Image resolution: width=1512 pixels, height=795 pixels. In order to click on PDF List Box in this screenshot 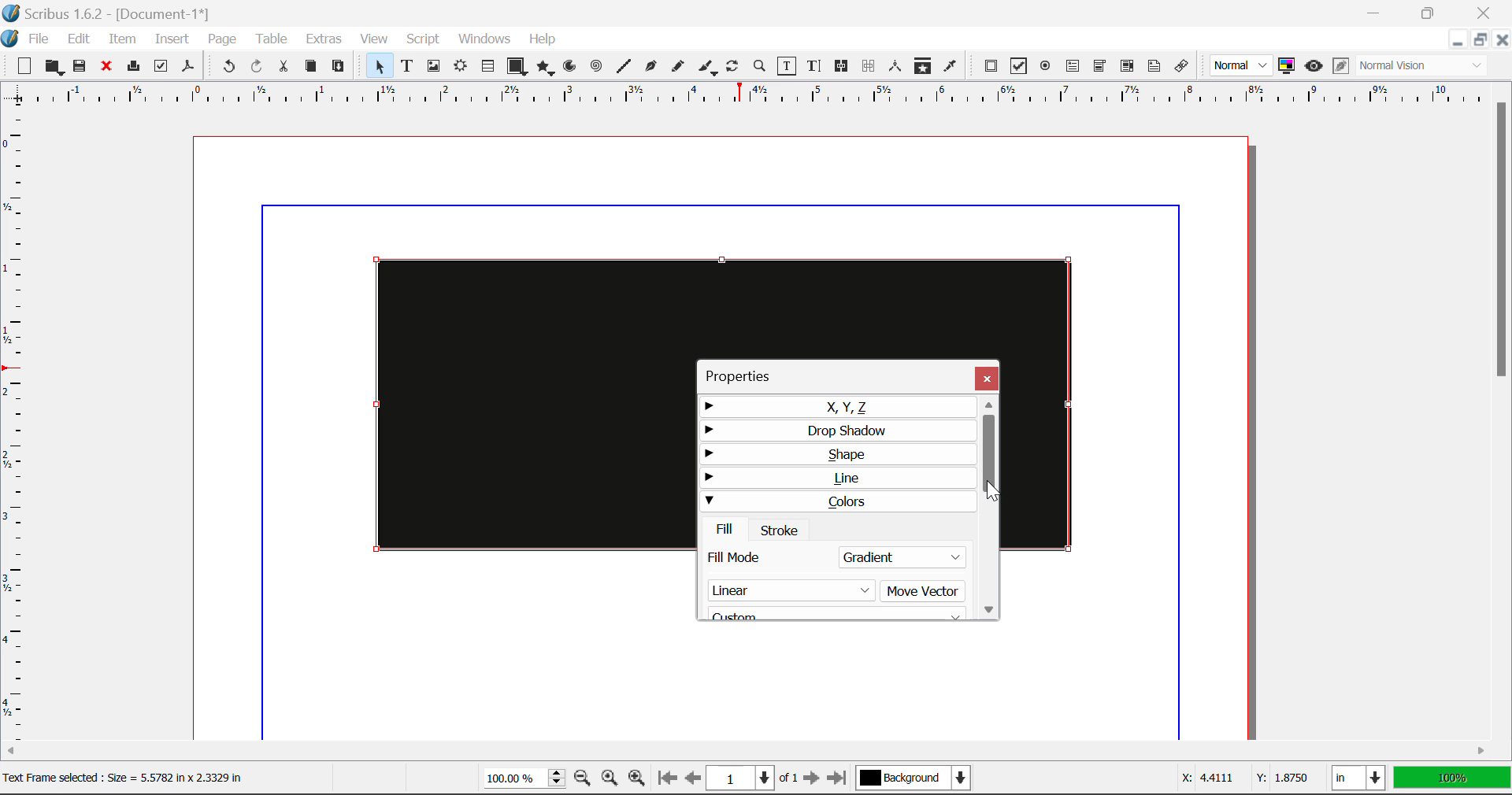, I will do `click(1128, 66)`.